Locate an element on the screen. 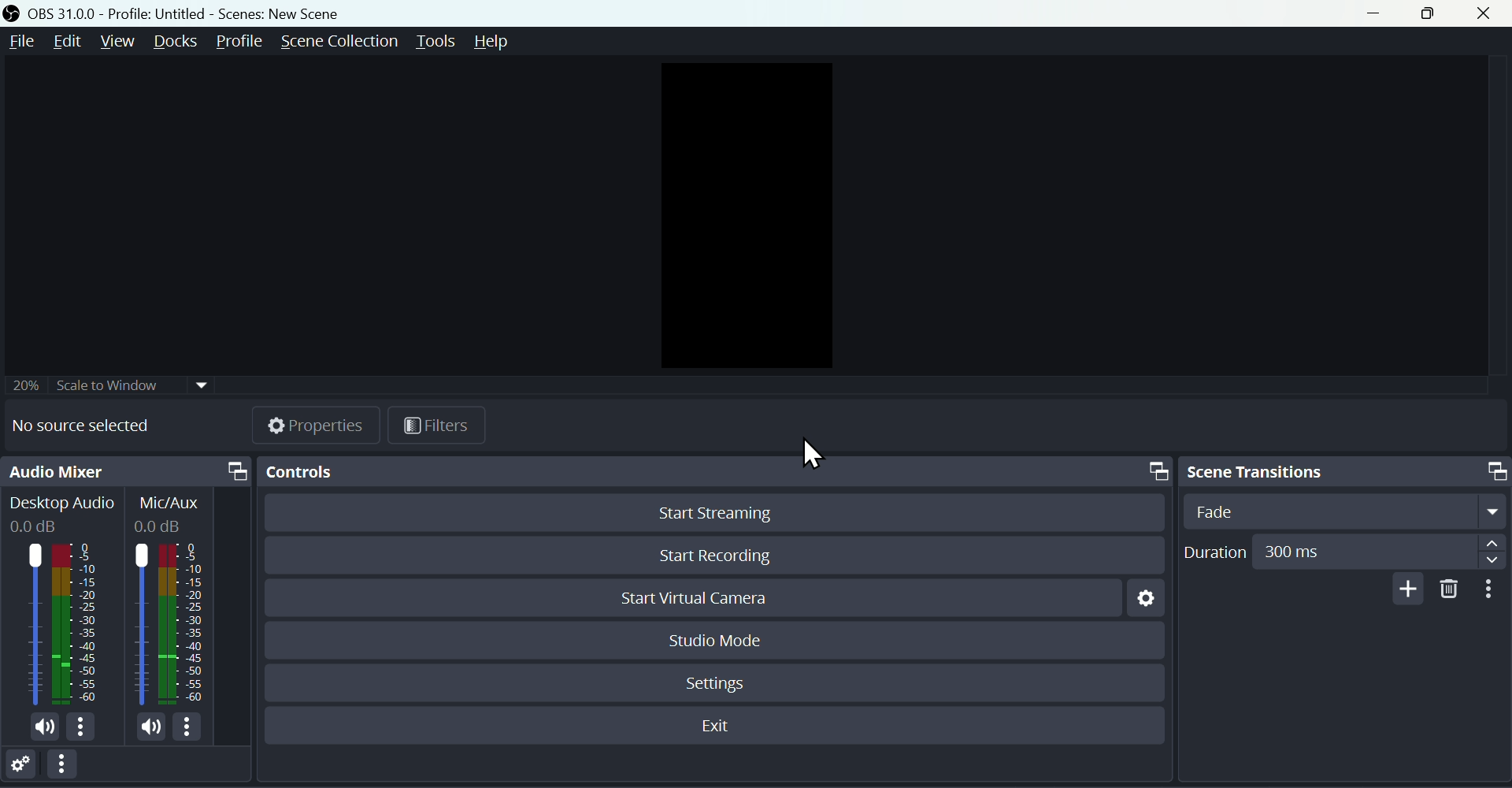  Studio mode is located at coordinates (716, 638).